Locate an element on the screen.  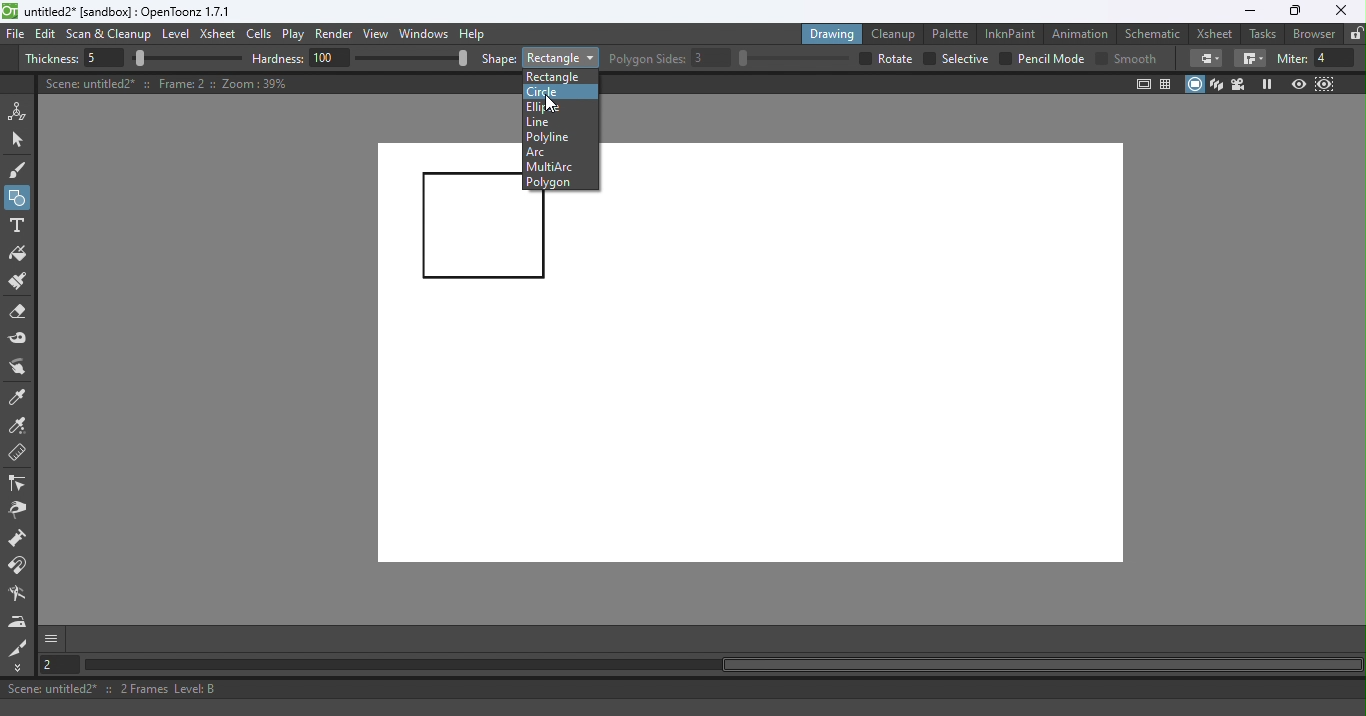
Maximize is located at coordinates (1292, 12).